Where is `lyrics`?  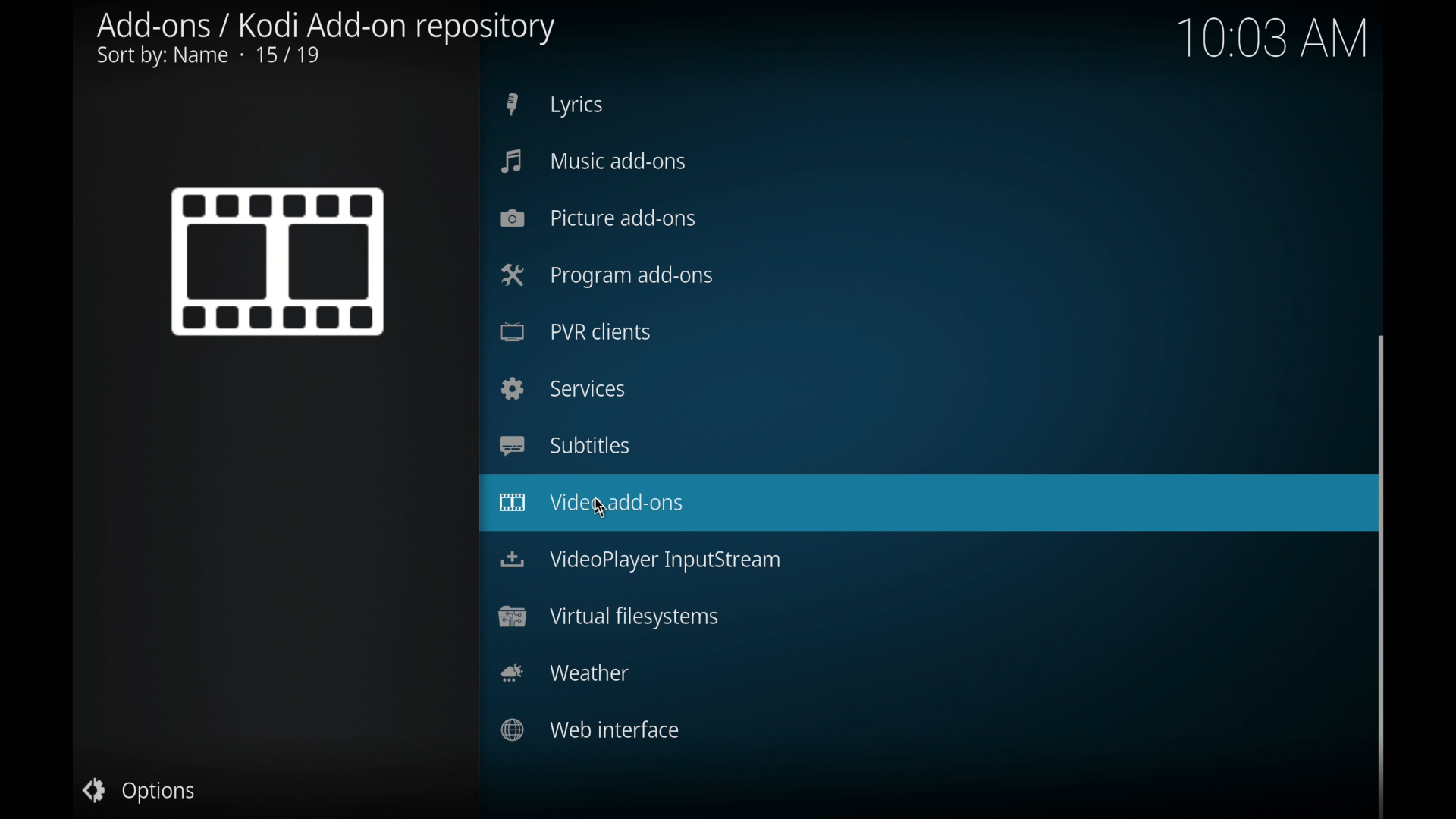 lyrics is located at coordinates (554, 105).